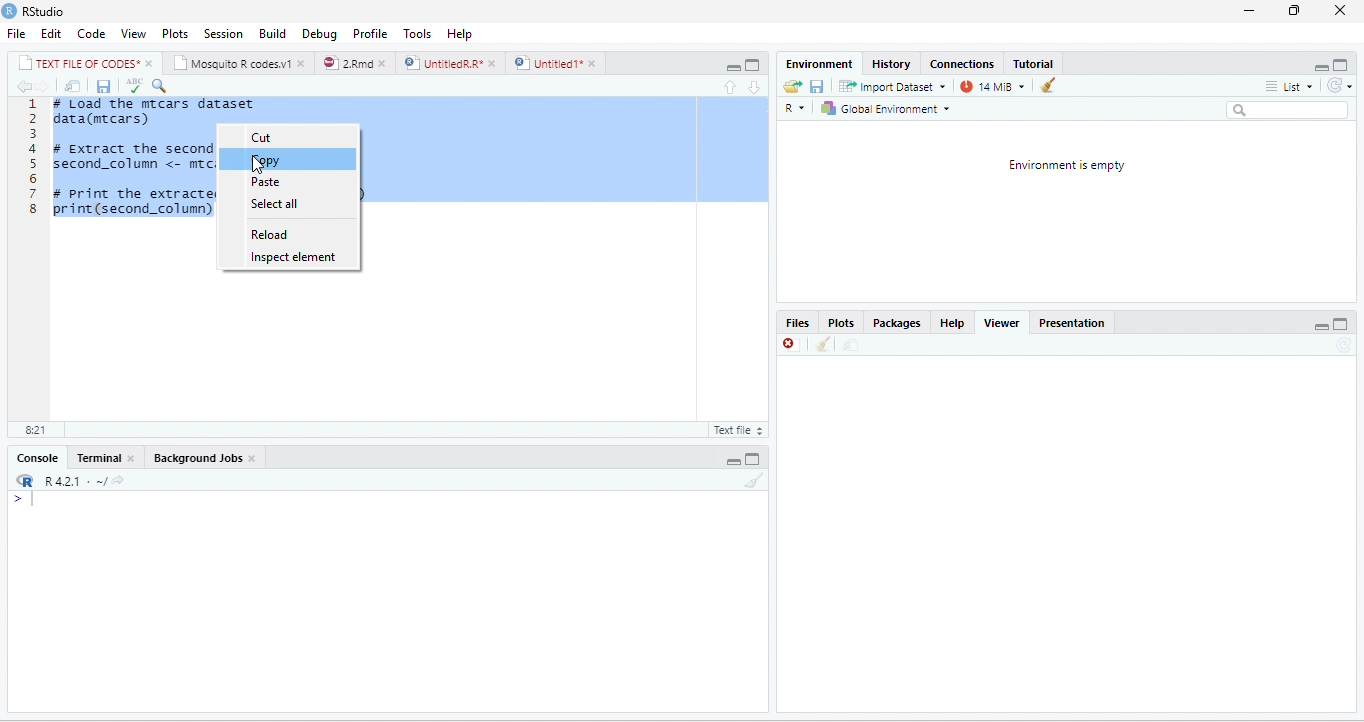 The image size is (1364, 722). Describe the element at coordinates (754, 64) in the screenshot. I see `minimize` at that location.